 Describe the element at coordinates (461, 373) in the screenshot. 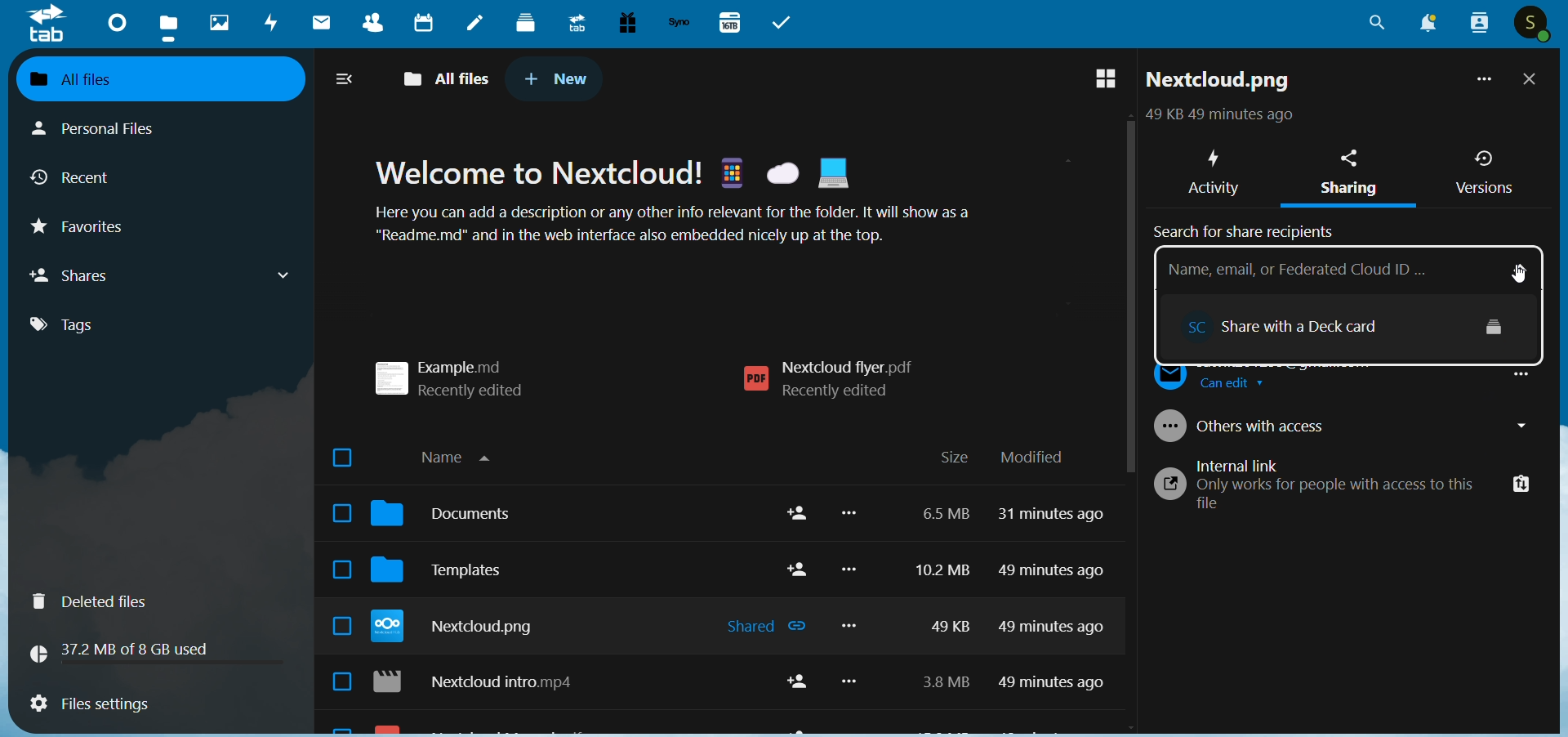

I see `example` at that location.